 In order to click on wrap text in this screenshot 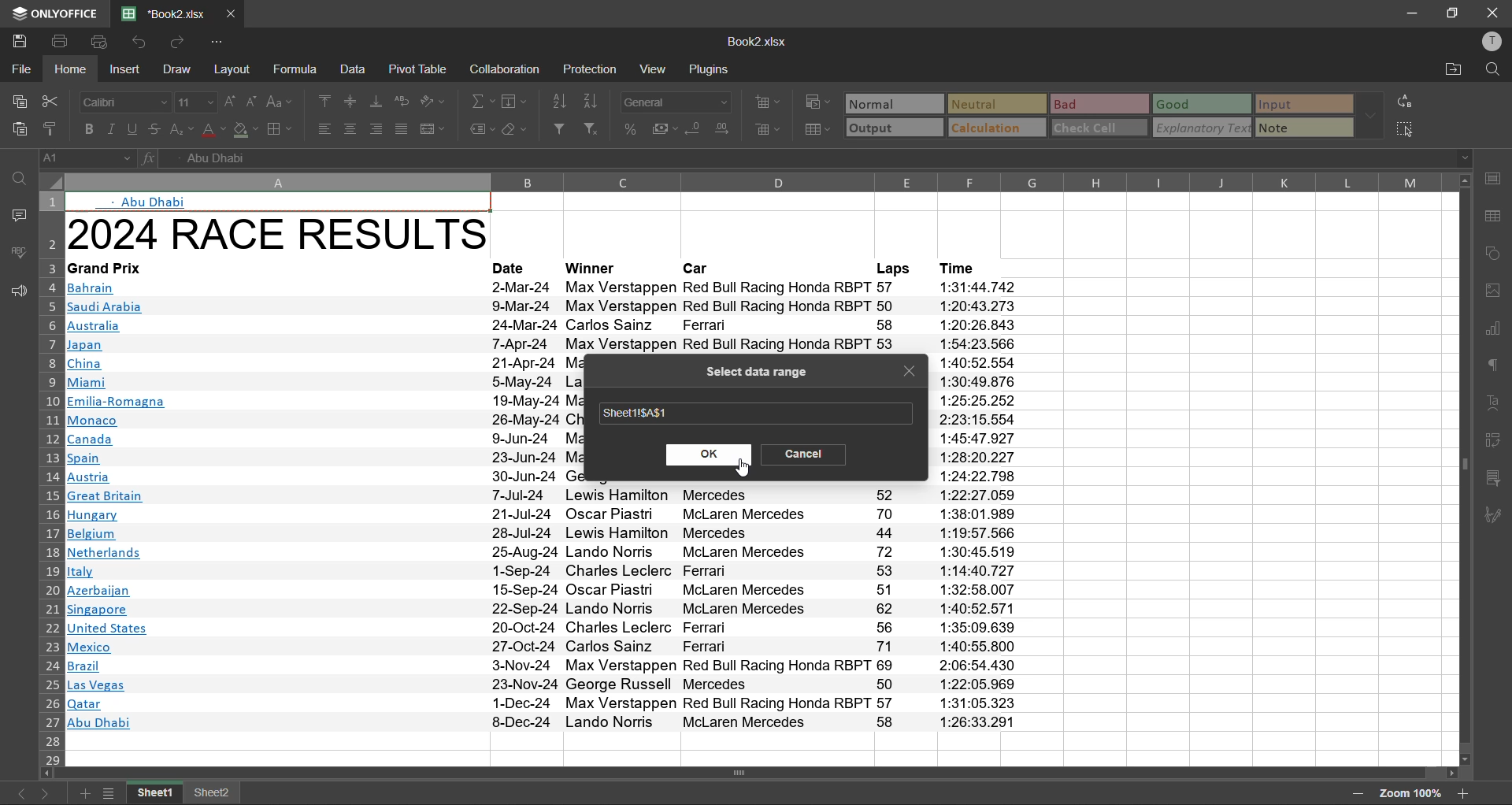, I will do `click(402, 101)`.